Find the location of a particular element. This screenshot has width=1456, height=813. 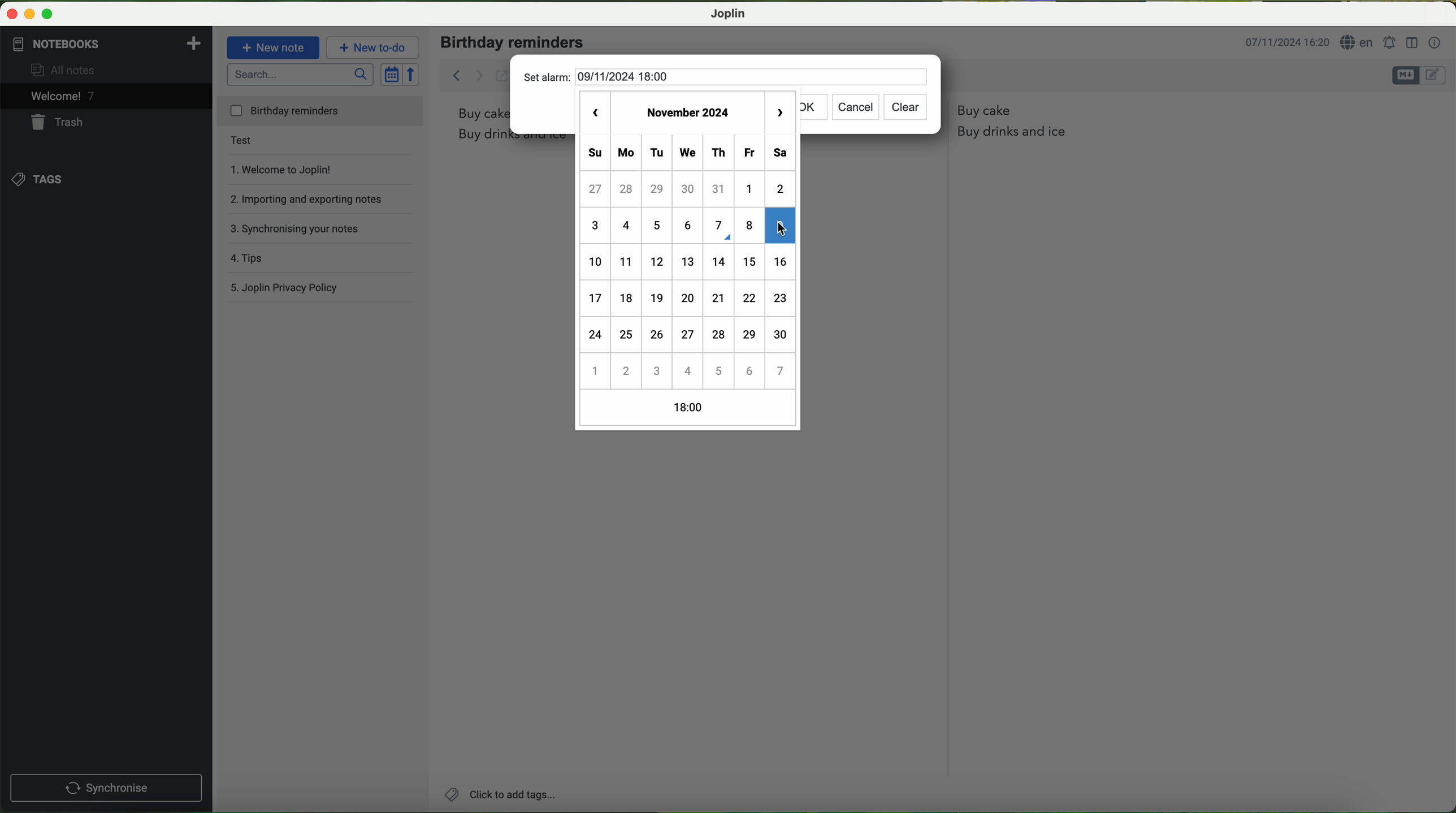

set alarm is located at coordinates (1392, 43).